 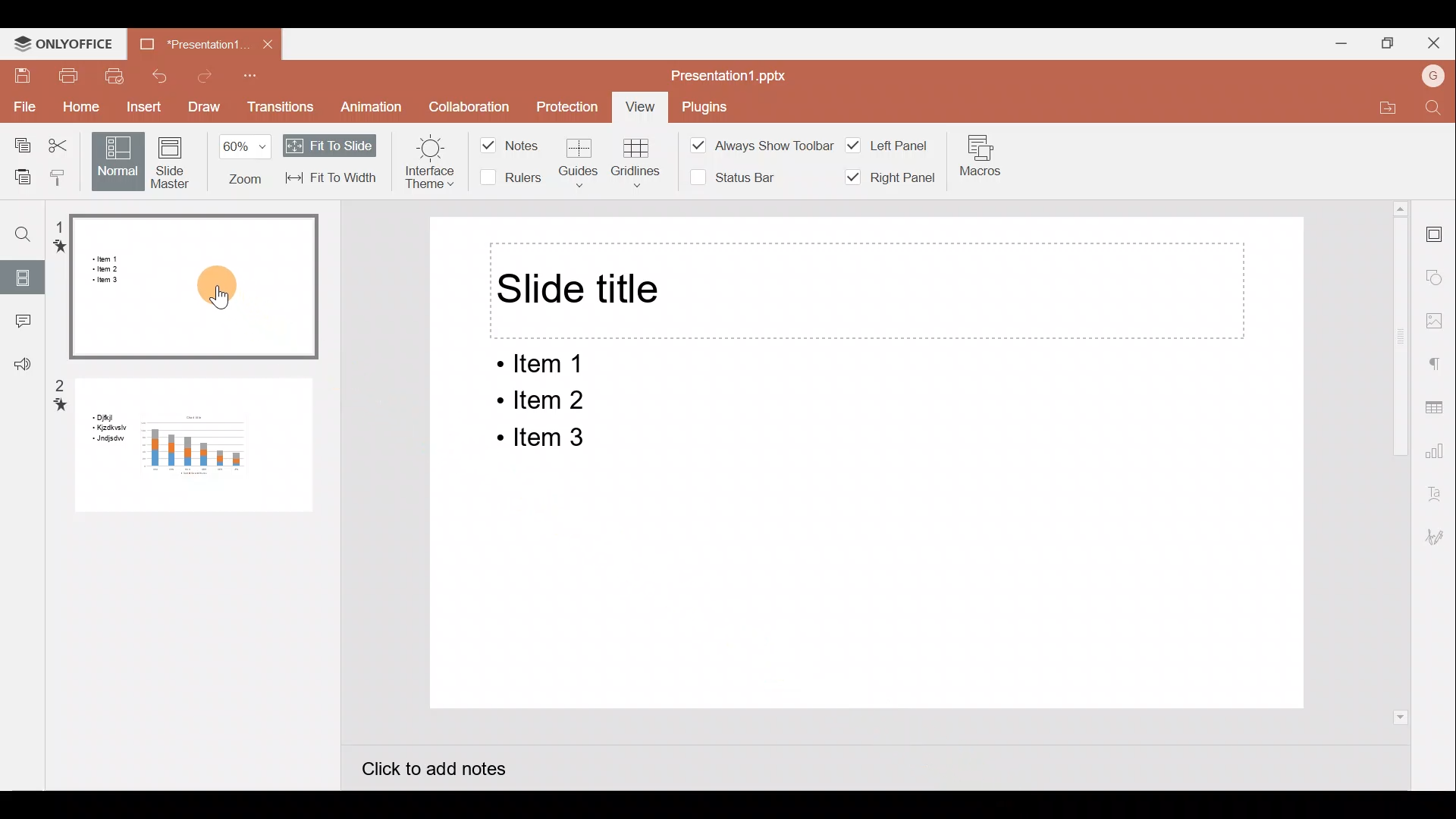 What do you see at coordinates (381, 104) in the screenshot?
I see `Animation` at bounding box center [381, 104].